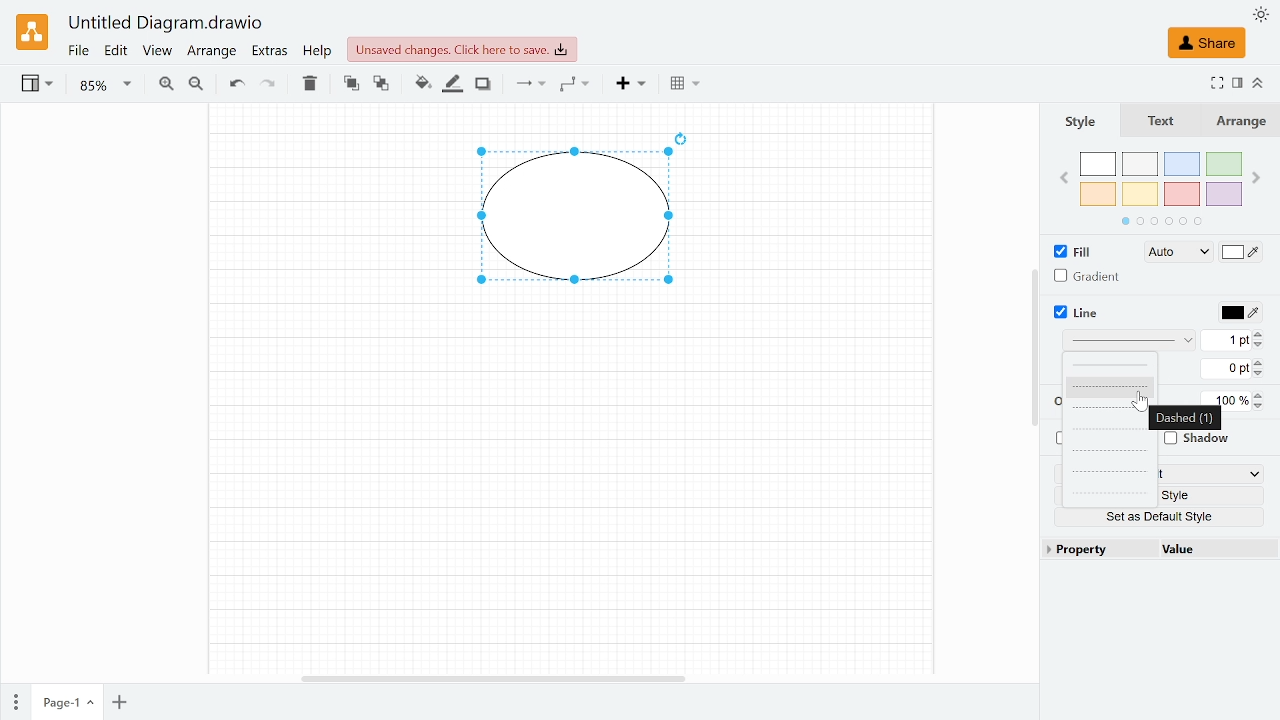  I want to click on Help, so click(318, 52).